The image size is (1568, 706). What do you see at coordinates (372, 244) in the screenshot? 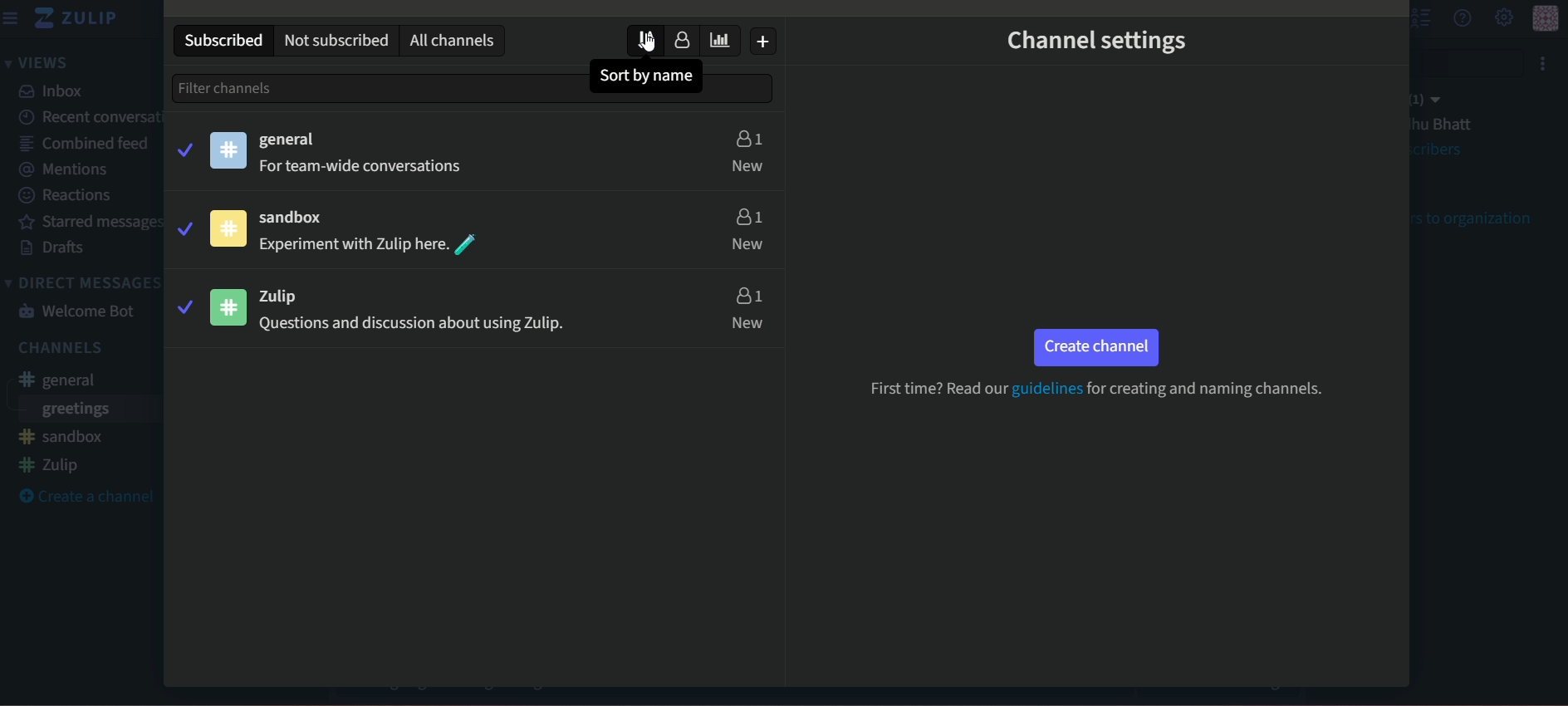
I see `text` at bounding box center [372, 244].